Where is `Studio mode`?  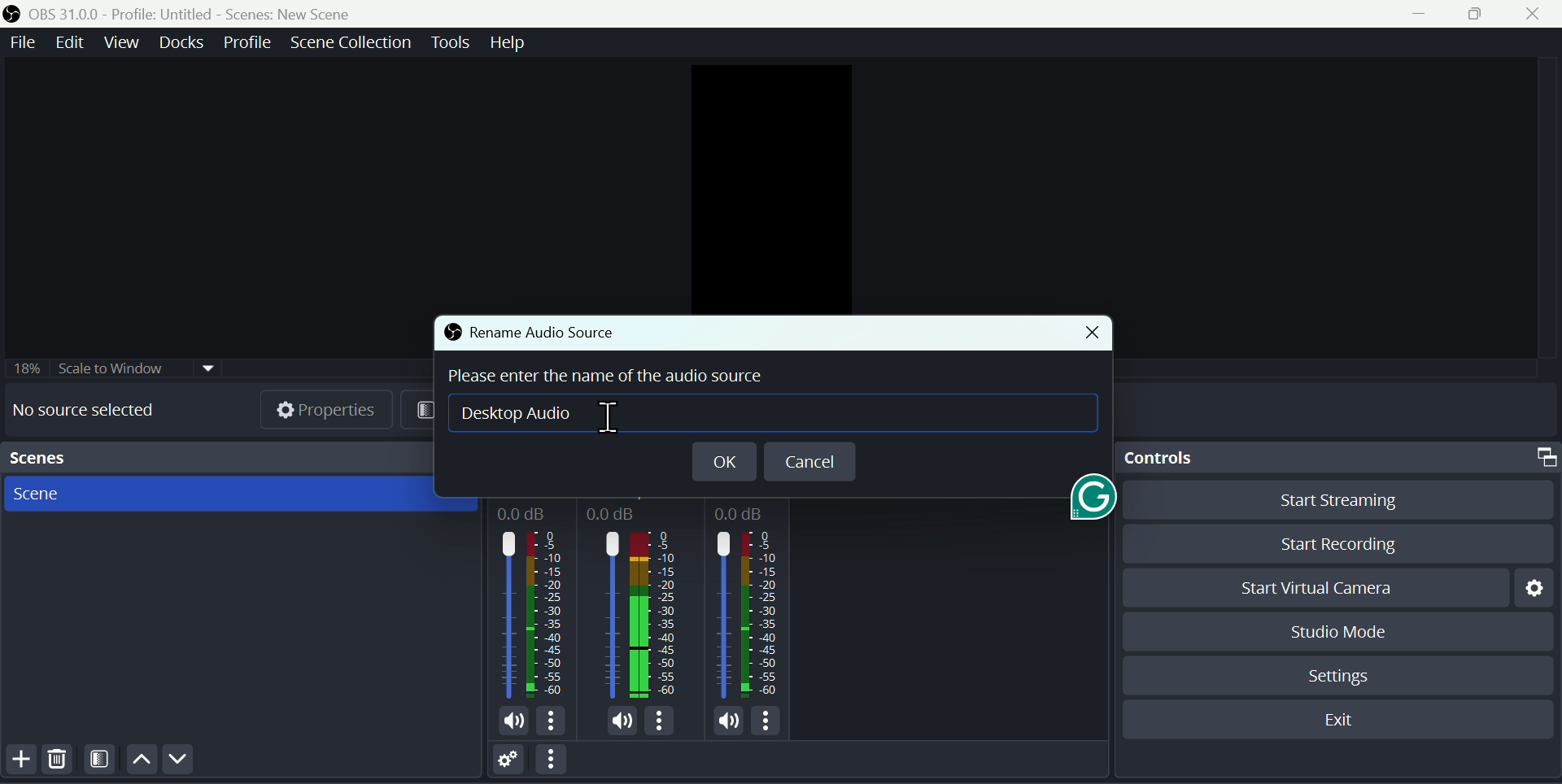 Studio mode is located at coordinates (1342, 630).